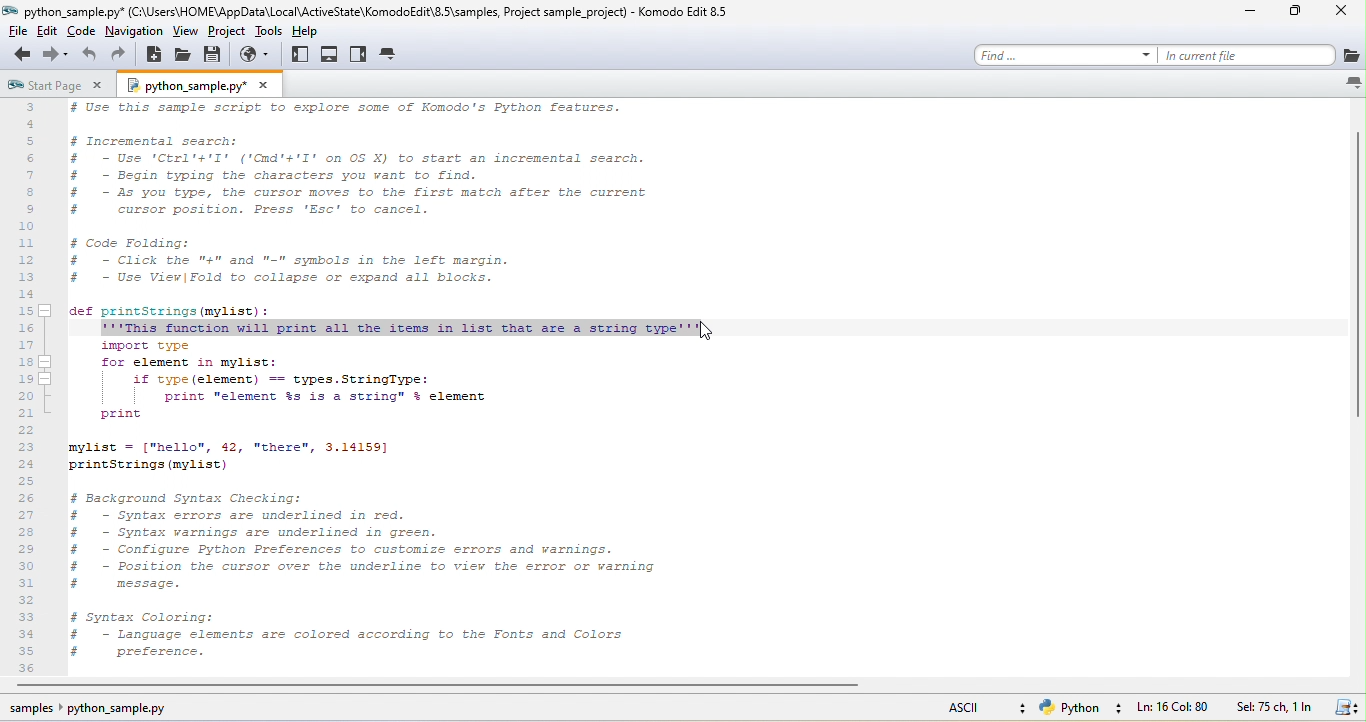 The height and width of the screenshot is (722, 1366). I want to click on close, so click(98, 87).